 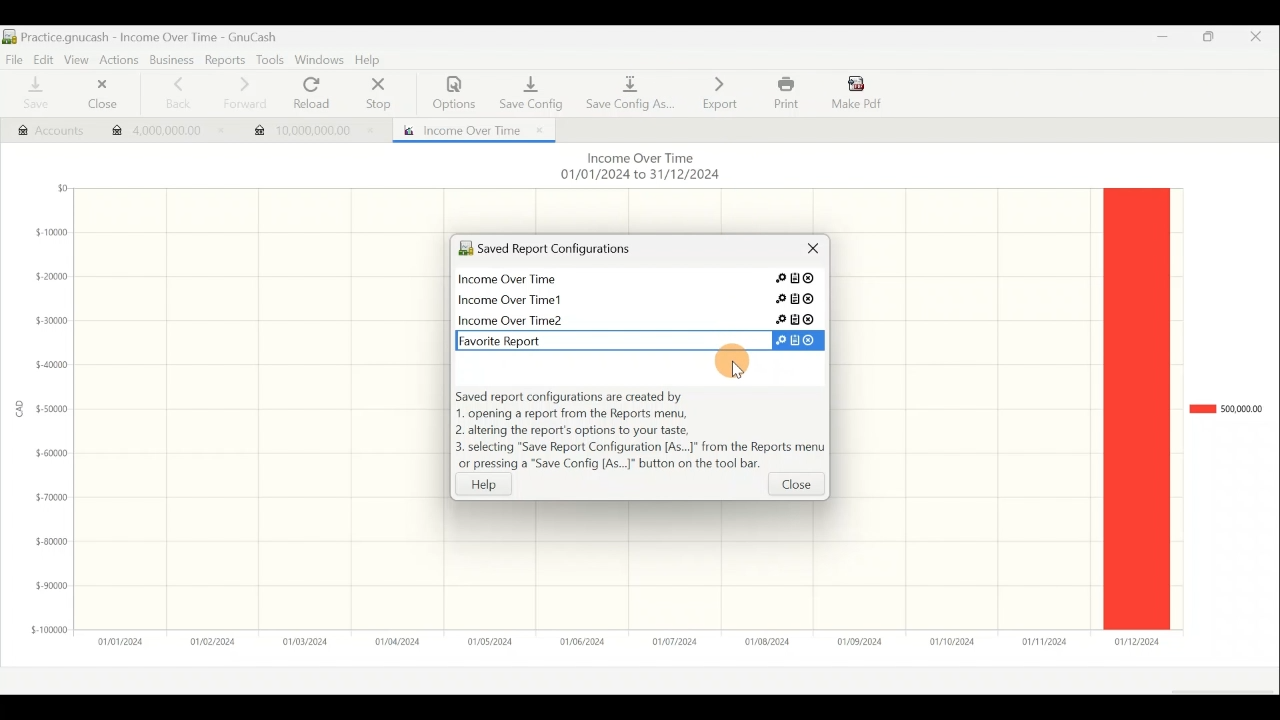 What do you see at coordinates (312, 126) in the screenshot?
I see `Imported transaction 2` at bounding box center [312, 126].